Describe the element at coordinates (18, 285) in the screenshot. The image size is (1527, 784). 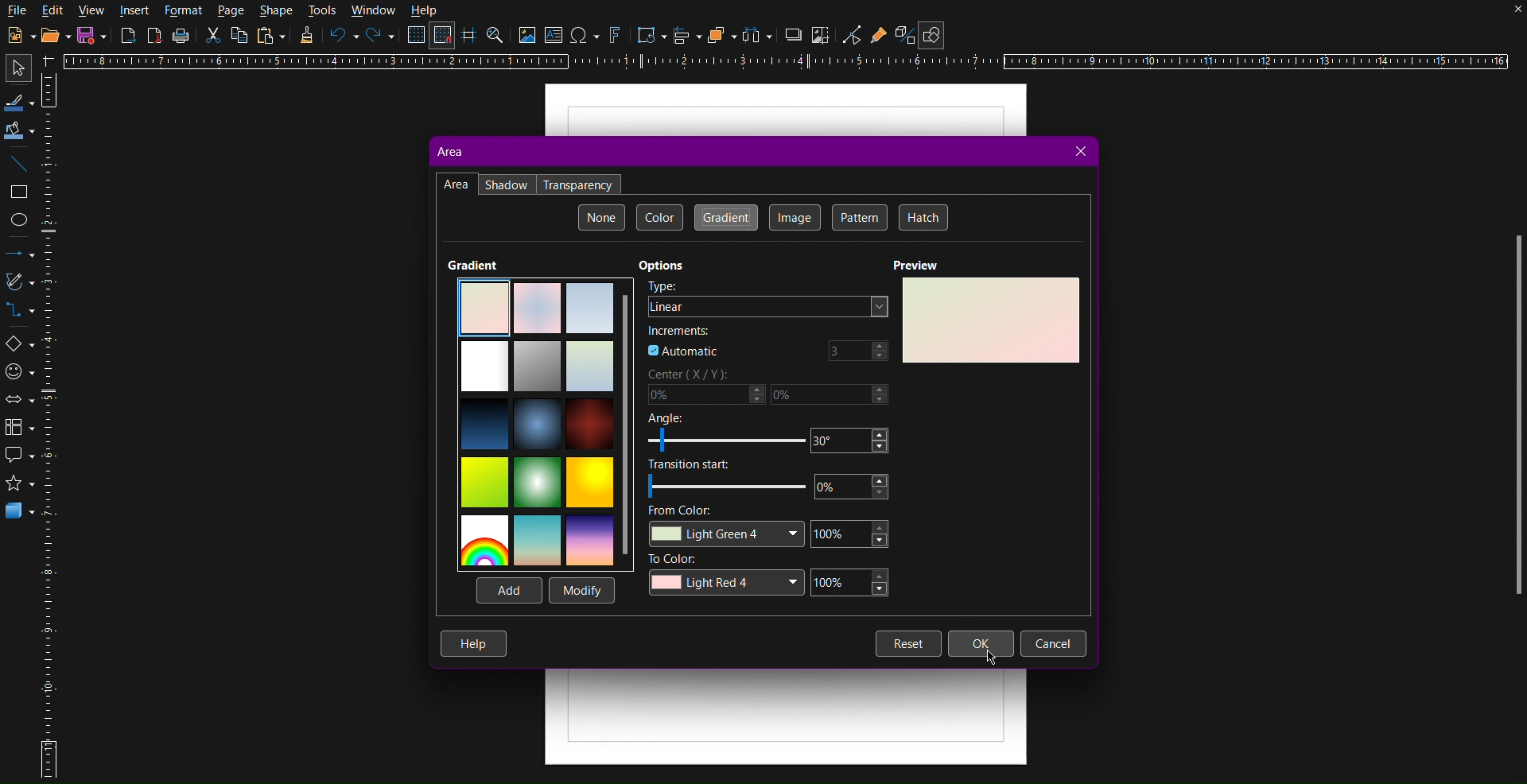
I see `Vectors` at that location.